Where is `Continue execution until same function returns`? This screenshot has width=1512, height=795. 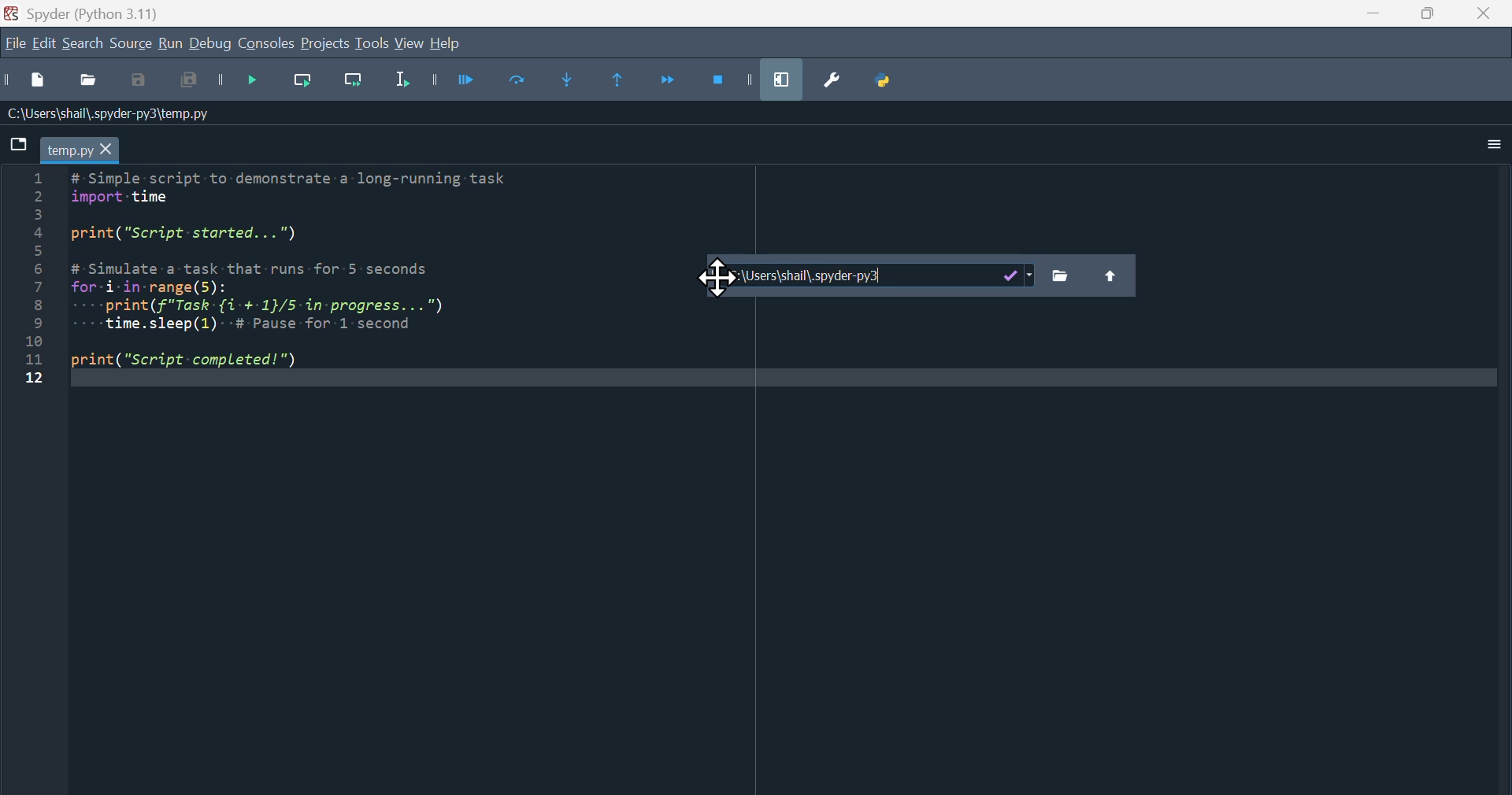 Continue execution until same function returns is located at coordinates (628, 83).